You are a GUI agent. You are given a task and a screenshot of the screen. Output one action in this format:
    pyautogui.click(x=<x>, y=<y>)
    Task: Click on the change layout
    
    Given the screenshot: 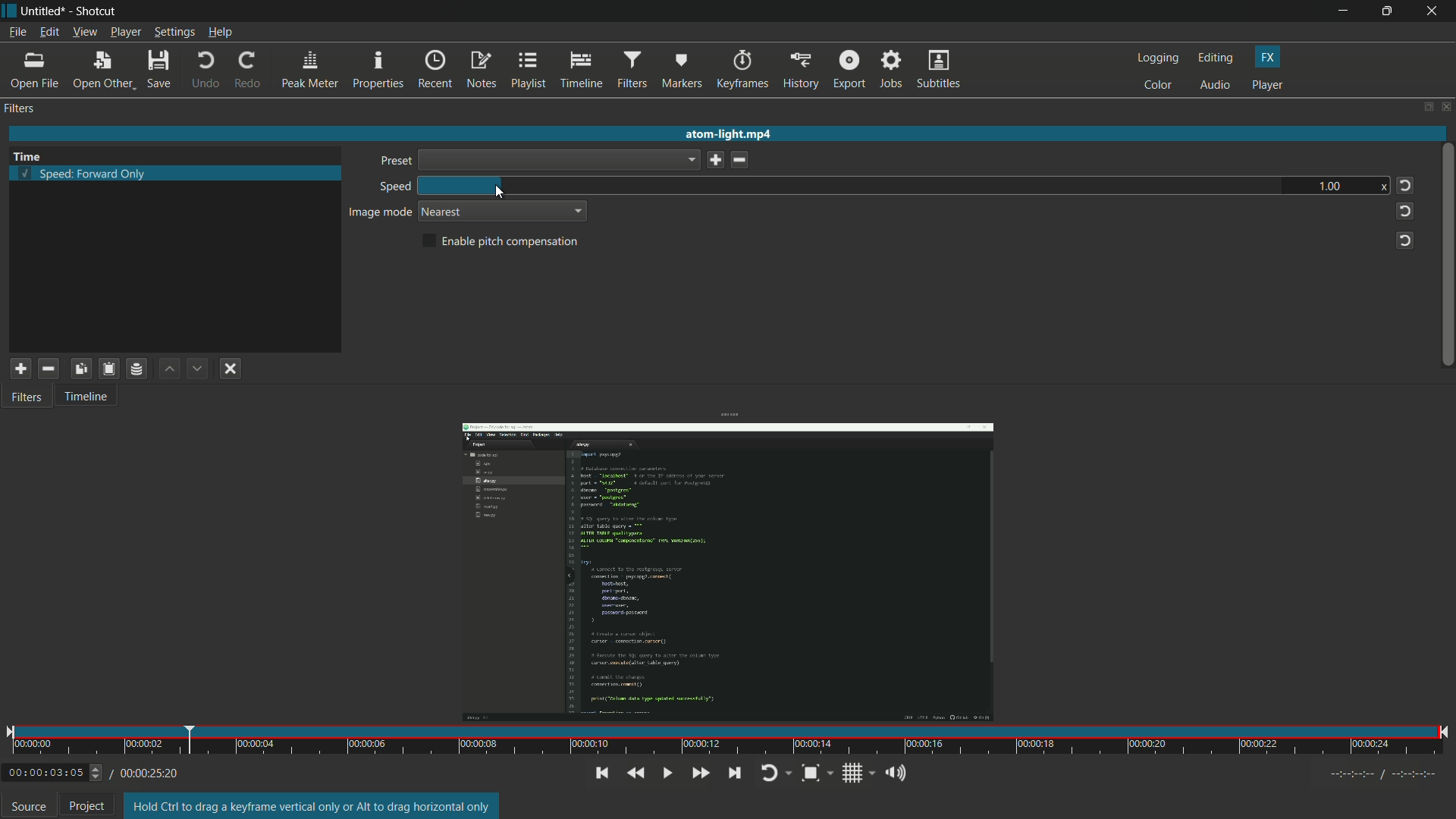 What is the action you would take?
    pyautogui.click(x=1426, y=107)
    